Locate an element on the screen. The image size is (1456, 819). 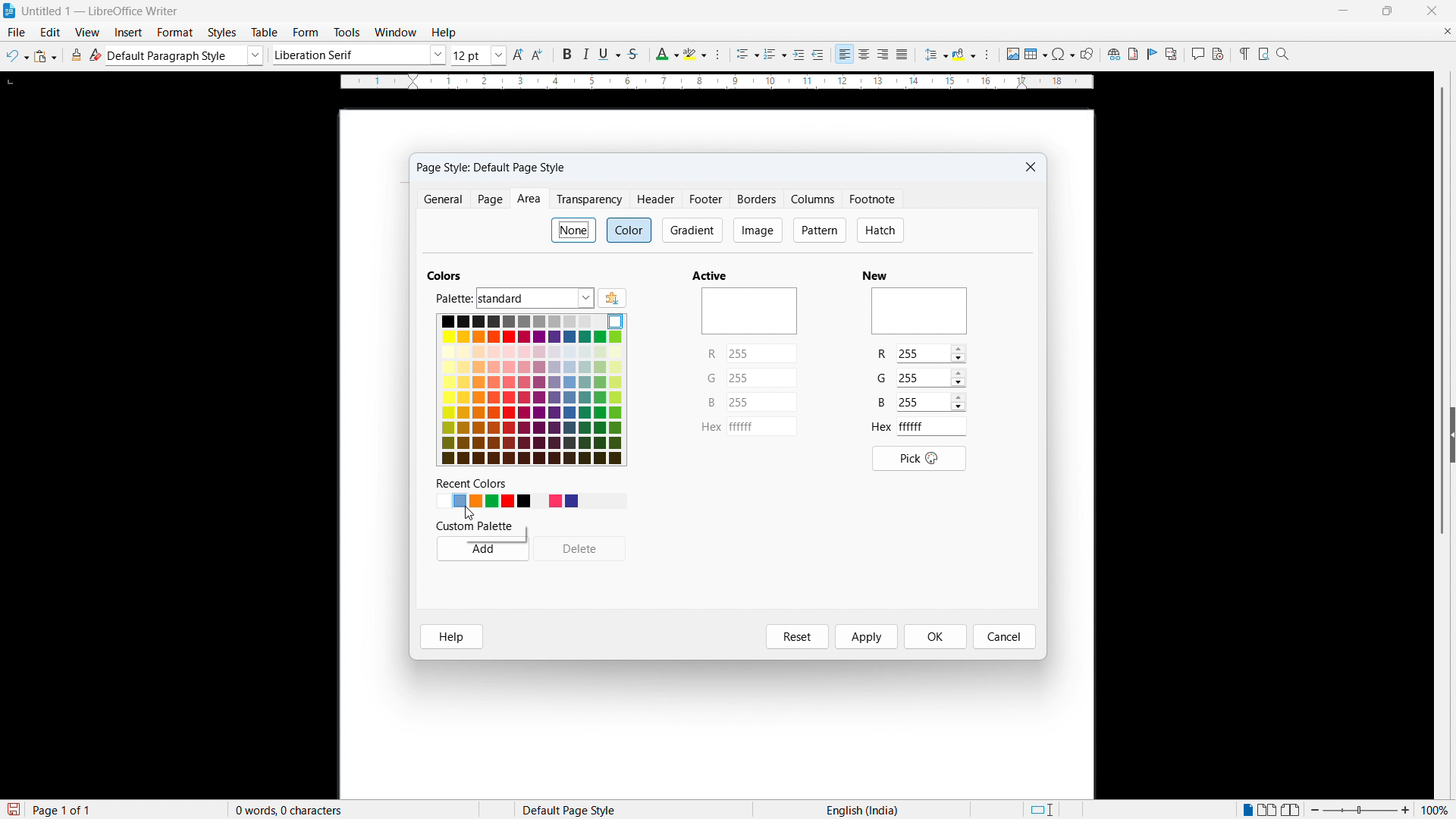
 Cursor  is located at coordinates (469, 513).